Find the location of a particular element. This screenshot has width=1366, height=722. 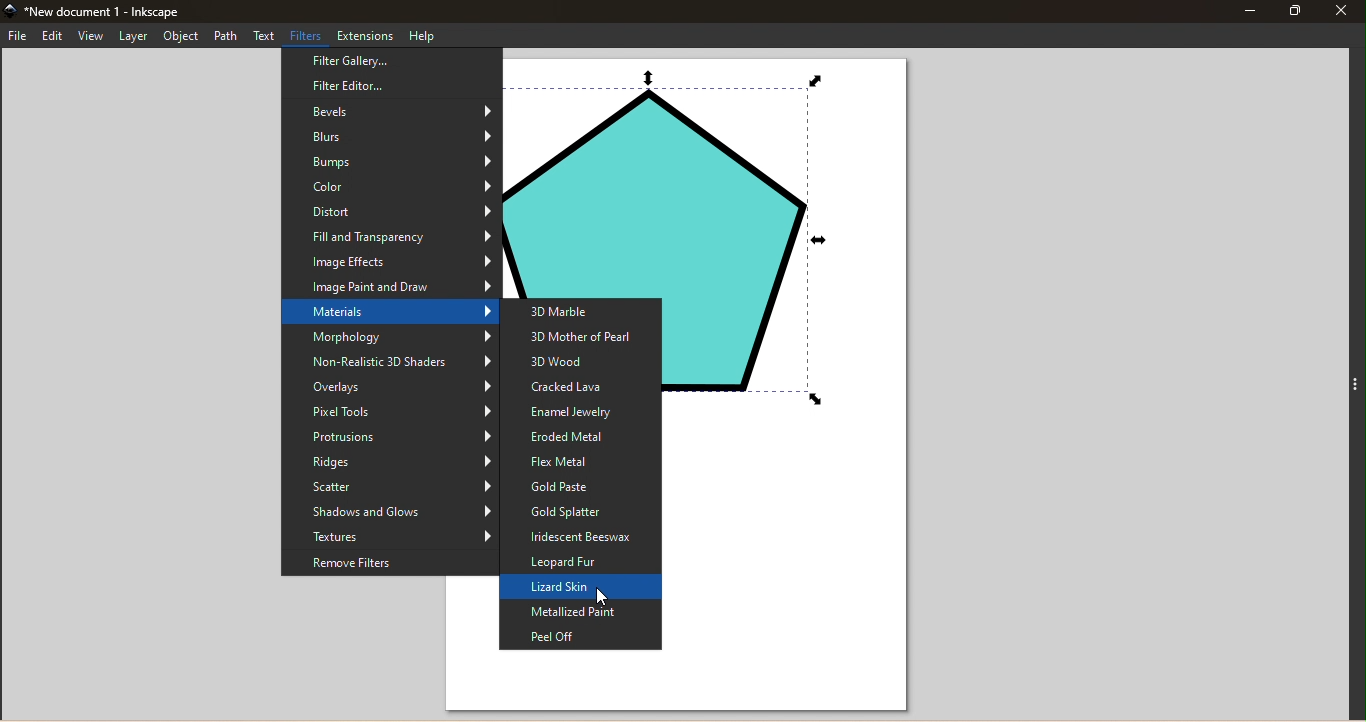

Enamel Jewelry is located at coordinates (582, 413).